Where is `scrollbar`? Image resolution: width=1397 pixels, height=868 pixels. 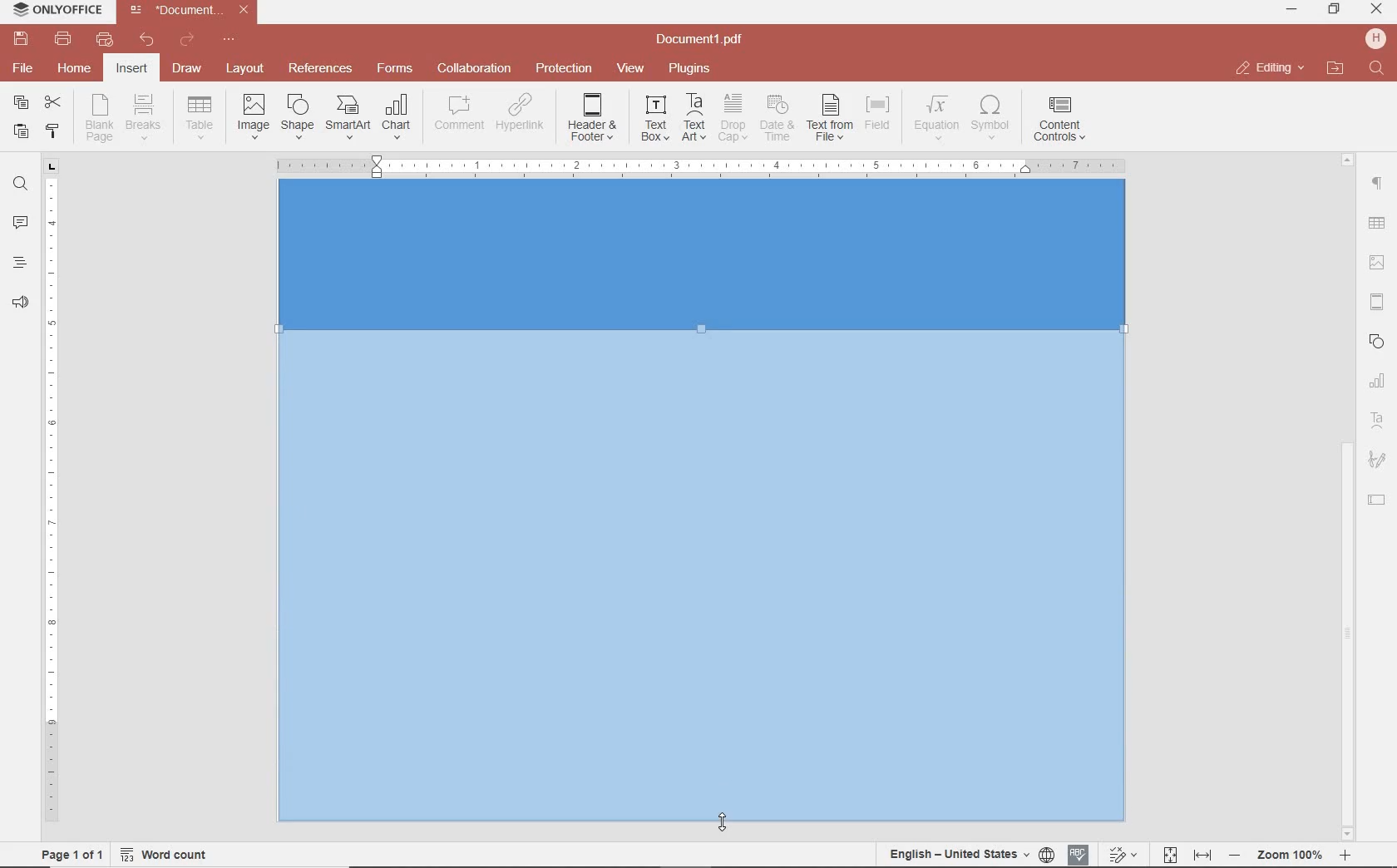 scrollbar is located at coordinates (1348, 633).